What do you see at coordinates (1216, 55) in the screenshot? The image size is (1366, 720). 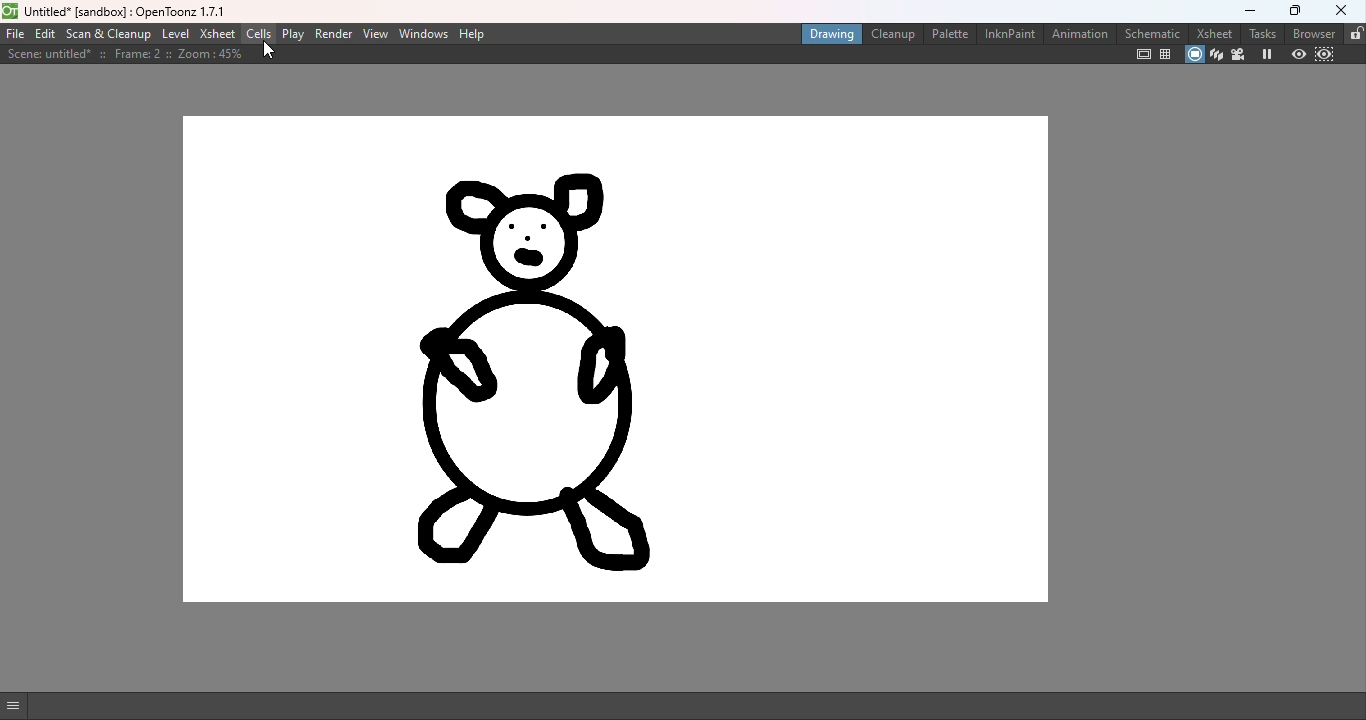 I see `3D view` at bounding box center [1216, 55].